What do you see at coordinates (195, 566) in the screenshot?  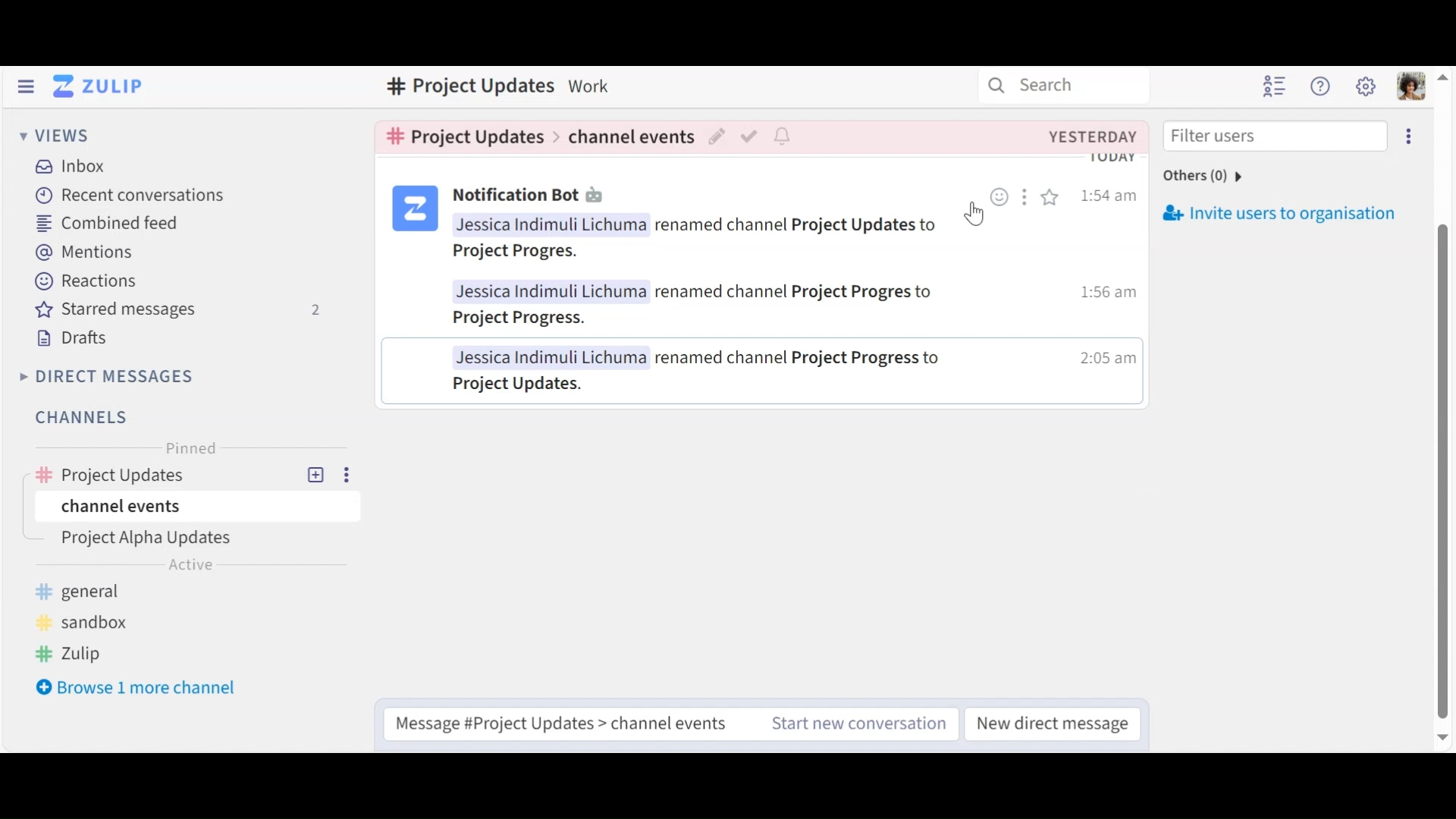 I see `active` at bounding box center [195, 566].